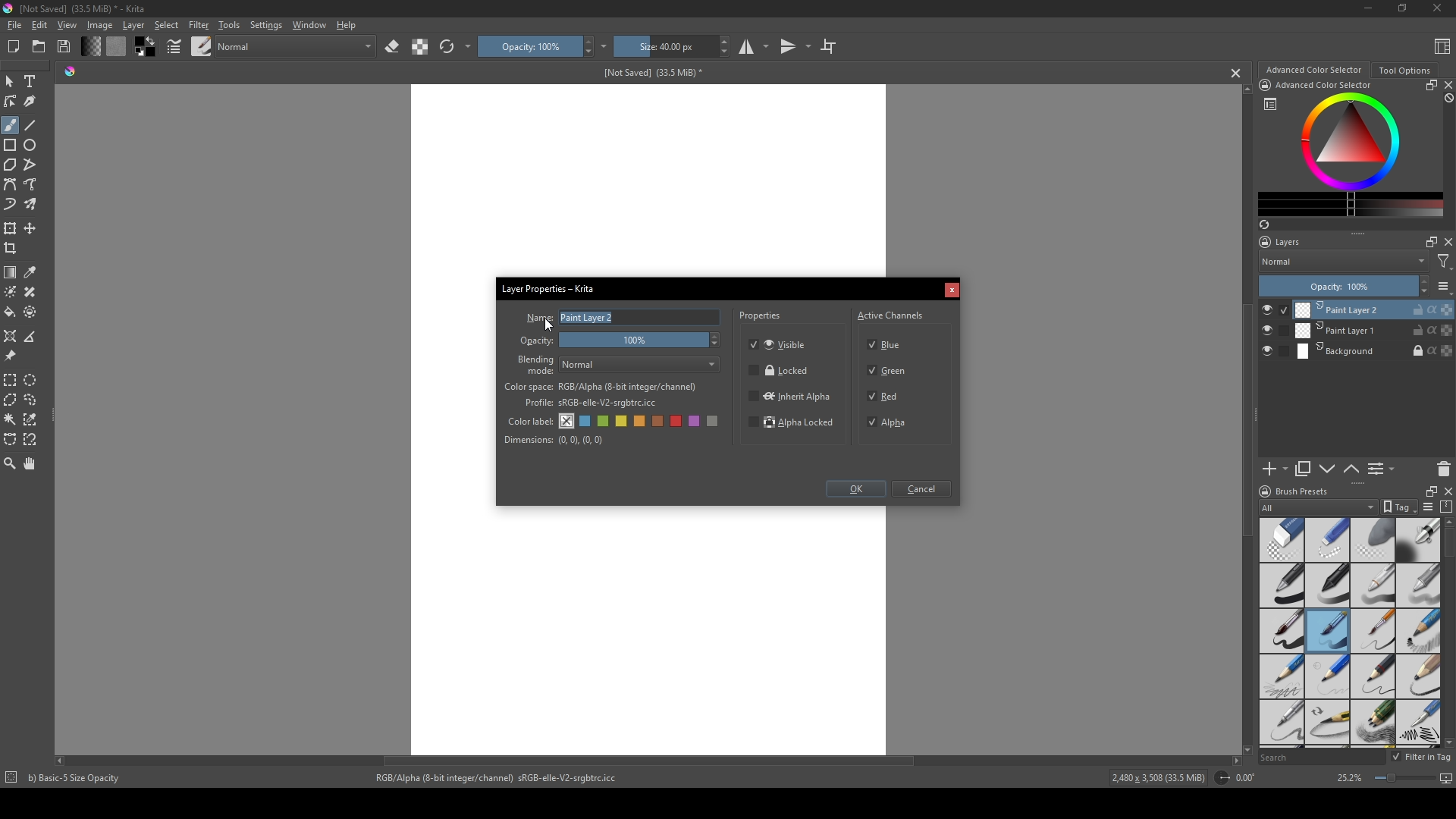 Image resolution: width=1456 pixels, height=819 pixels. Describe the element at coordinates (891, 313) in the screenshot. I see `Active channels` at that location.